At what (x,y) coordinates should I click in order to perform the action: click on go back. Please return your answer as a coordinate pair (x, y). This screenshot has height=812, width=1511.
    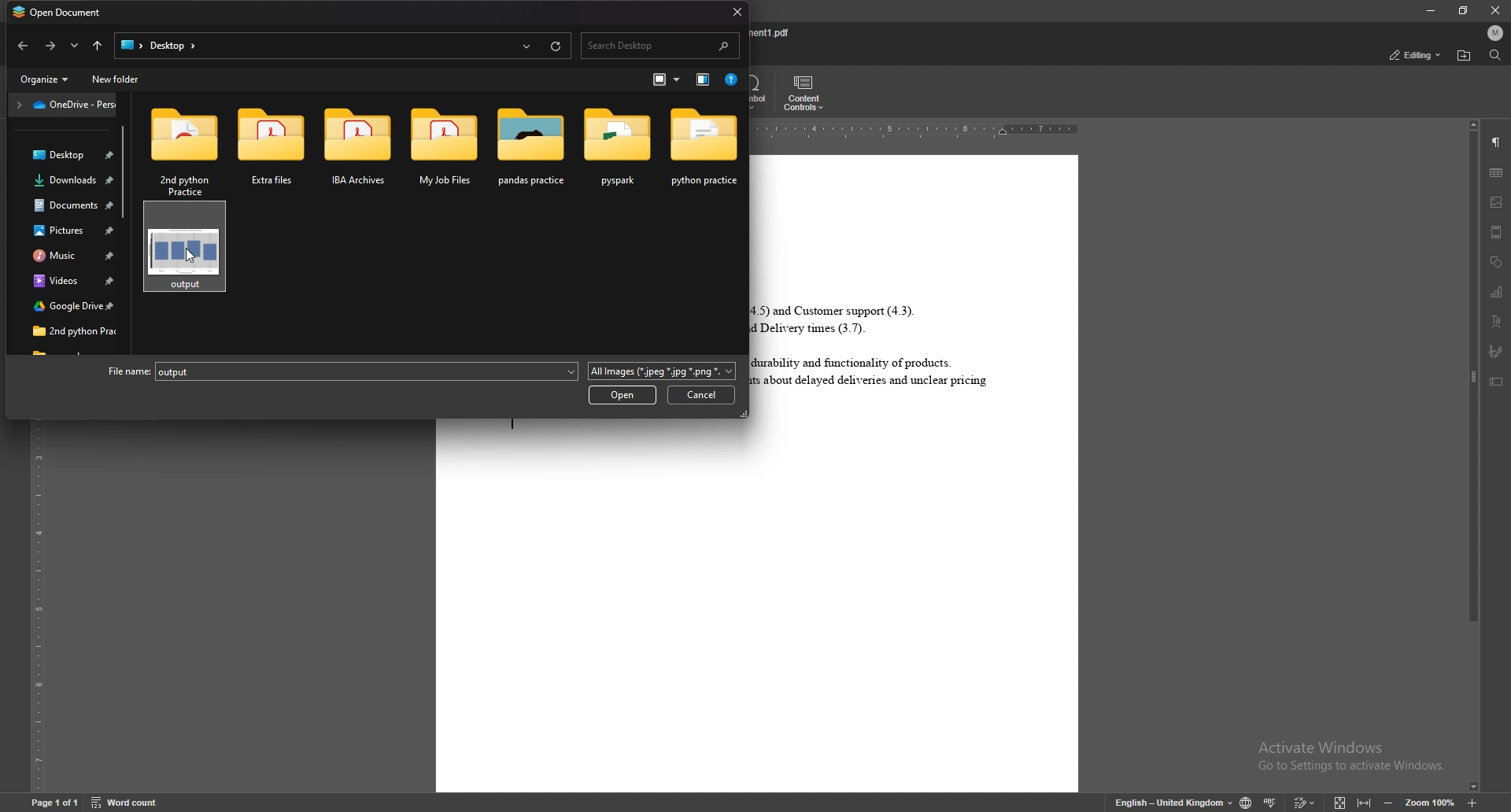
    Looking at the image, I should click on (49, 46).